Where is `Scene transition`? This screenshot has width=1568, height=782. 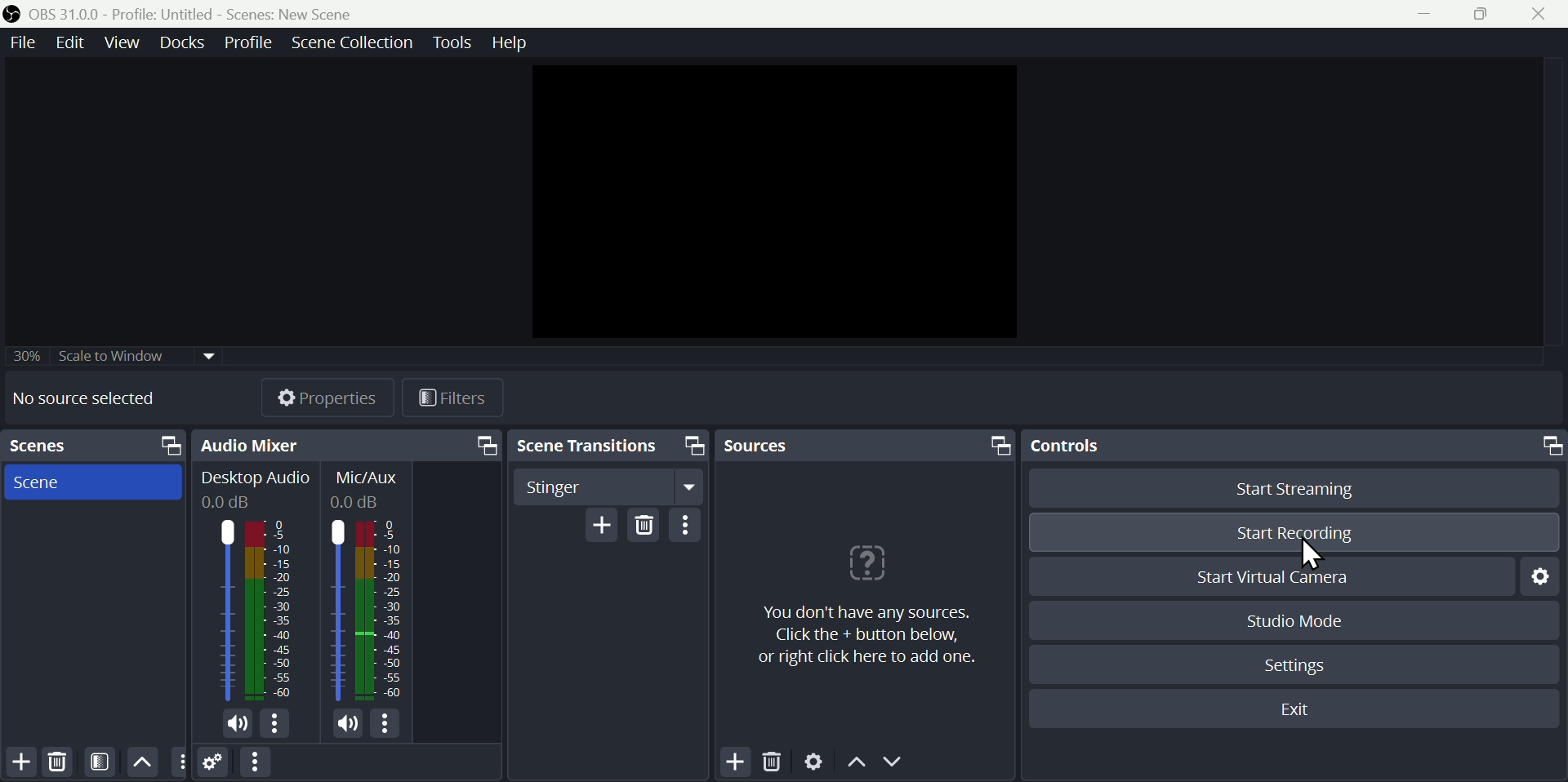
Scene transition is located at coordinates (588, 446).